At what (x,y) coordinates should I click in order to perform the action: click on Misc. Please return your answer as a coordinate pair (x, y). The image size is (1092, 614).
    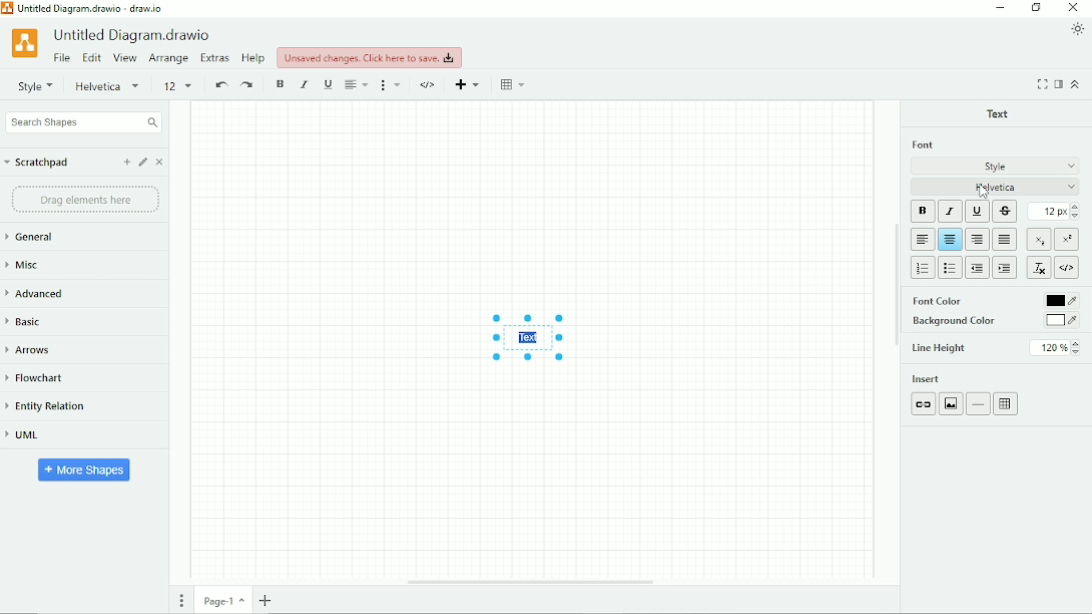
    Looking at the image, I should click on (26, 265).